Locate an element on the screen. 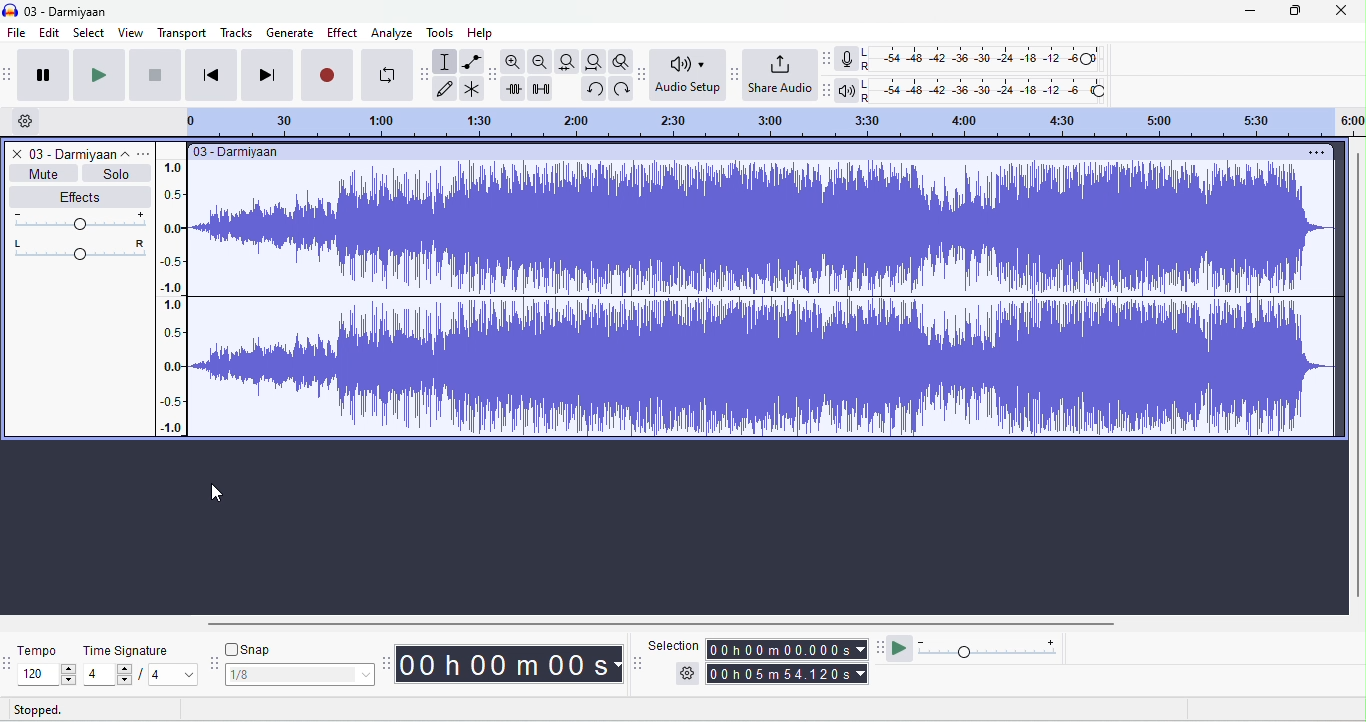  draw is located at coordinates (442, 89).